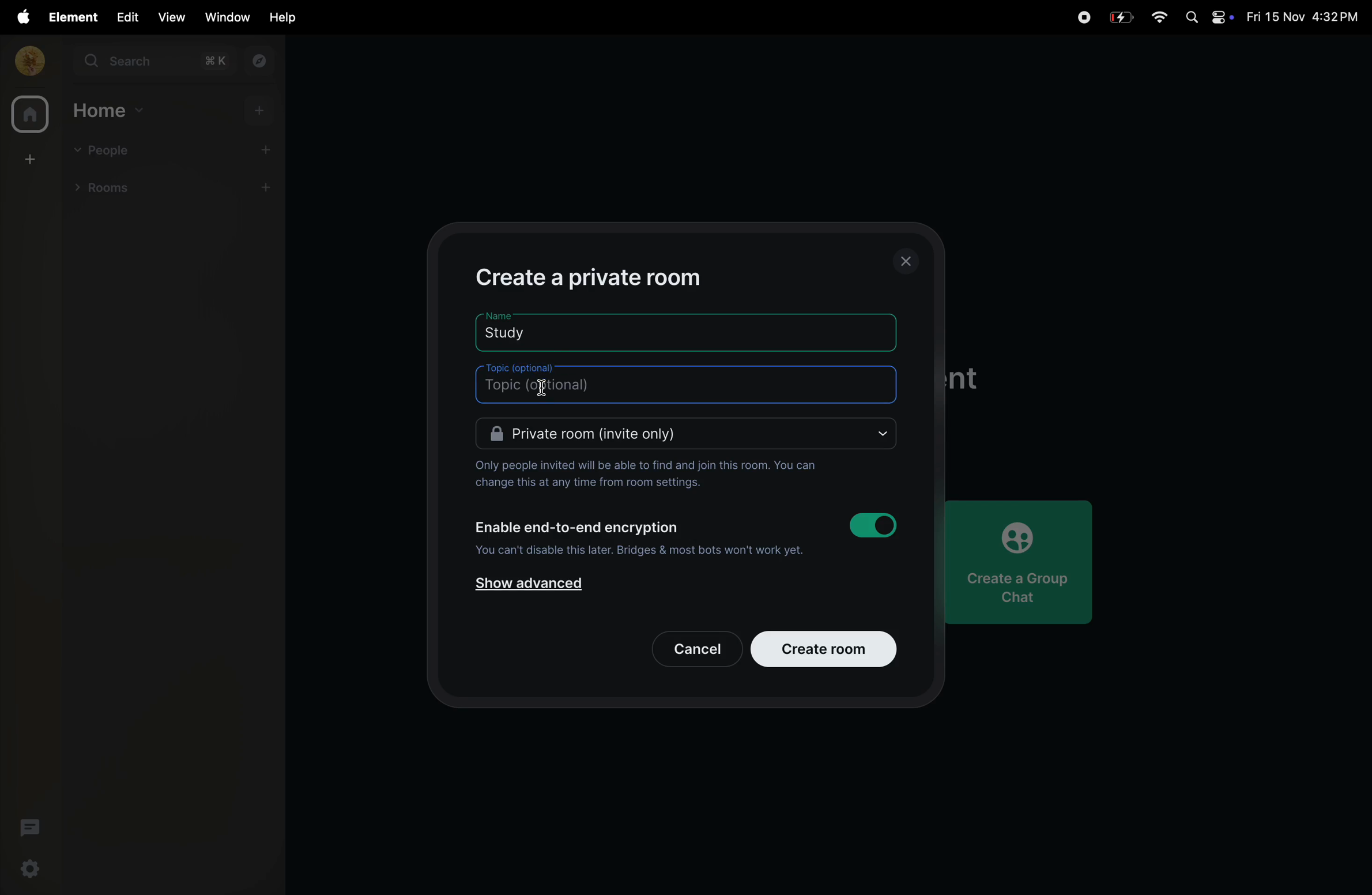 The image size is (1372, 895). What do you see at coordinates (270, 189) in the screenshot?
I see `add rooms` at bounding box center [270, 189].